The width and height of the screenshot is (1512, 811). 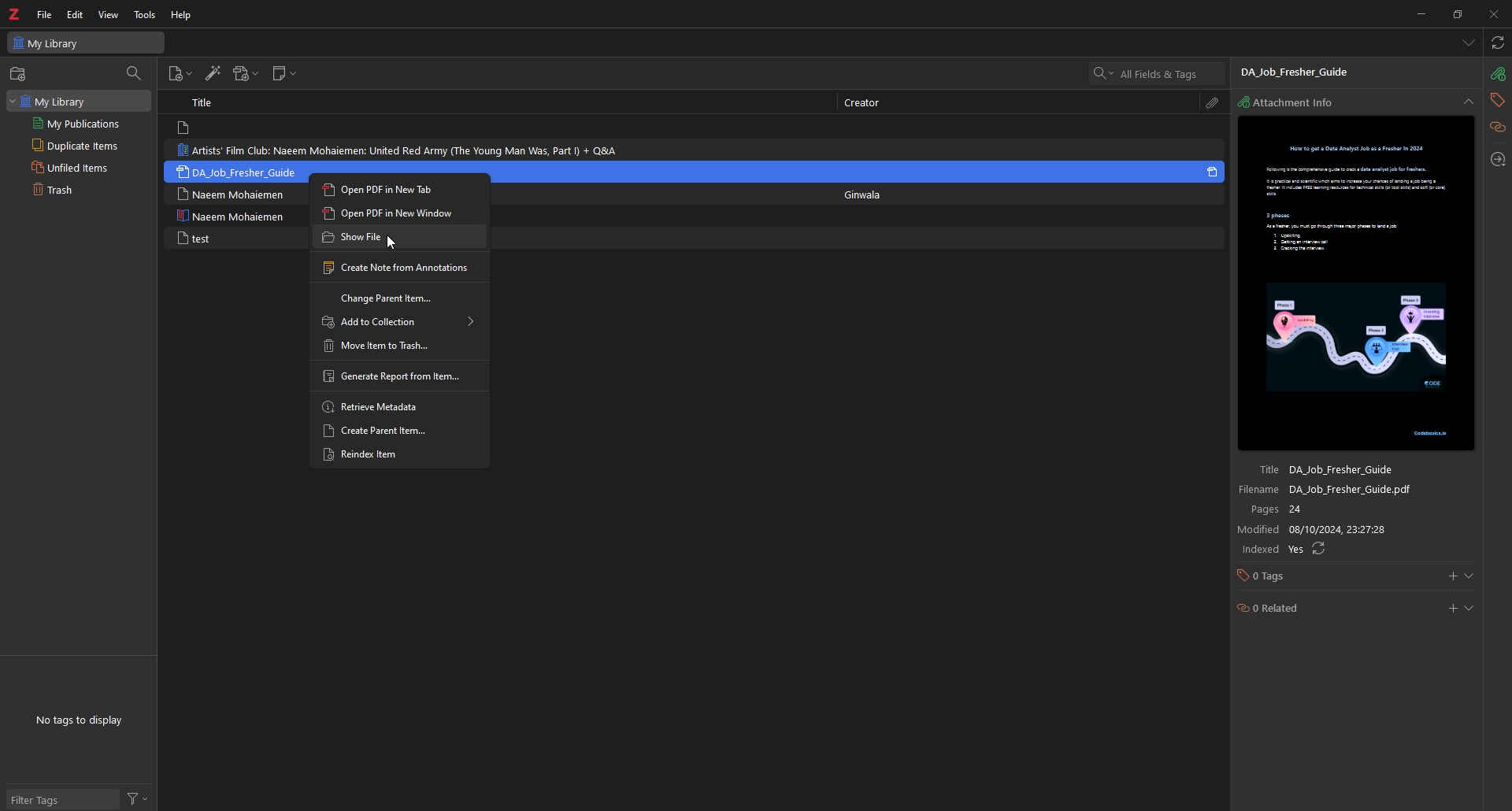 What do you see at coordinates (1157, 73) in the screenshot?
I see `all field and tags` at bounding box center [1157, 73].